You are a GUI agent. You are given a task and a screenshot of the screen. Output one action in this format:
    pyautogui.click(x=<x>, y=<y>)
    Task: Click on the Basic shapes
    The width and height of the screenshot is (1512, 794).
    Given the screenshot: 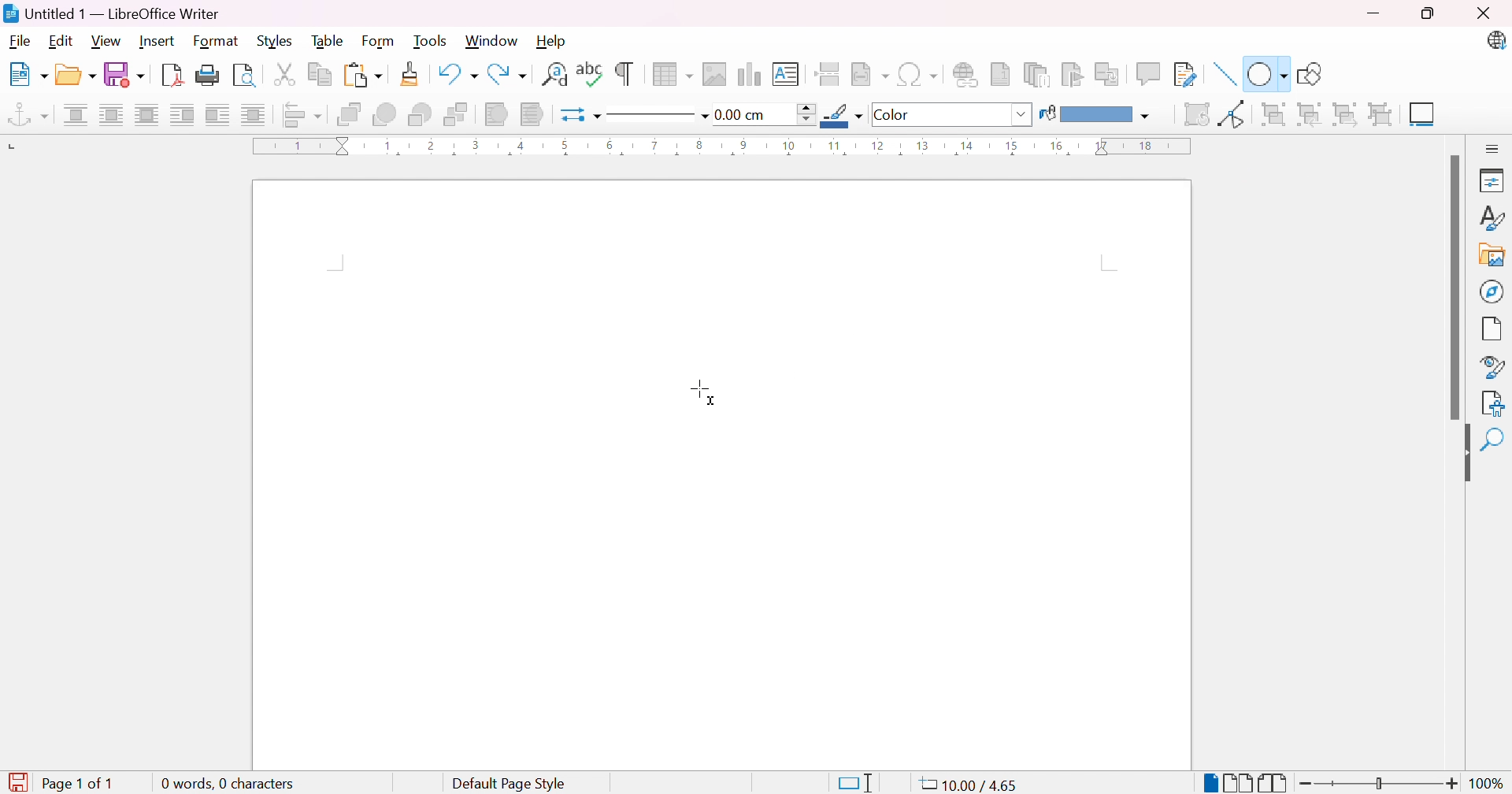 What is the action you would take?
    pyautogui.click(x=1266, y=72)
    